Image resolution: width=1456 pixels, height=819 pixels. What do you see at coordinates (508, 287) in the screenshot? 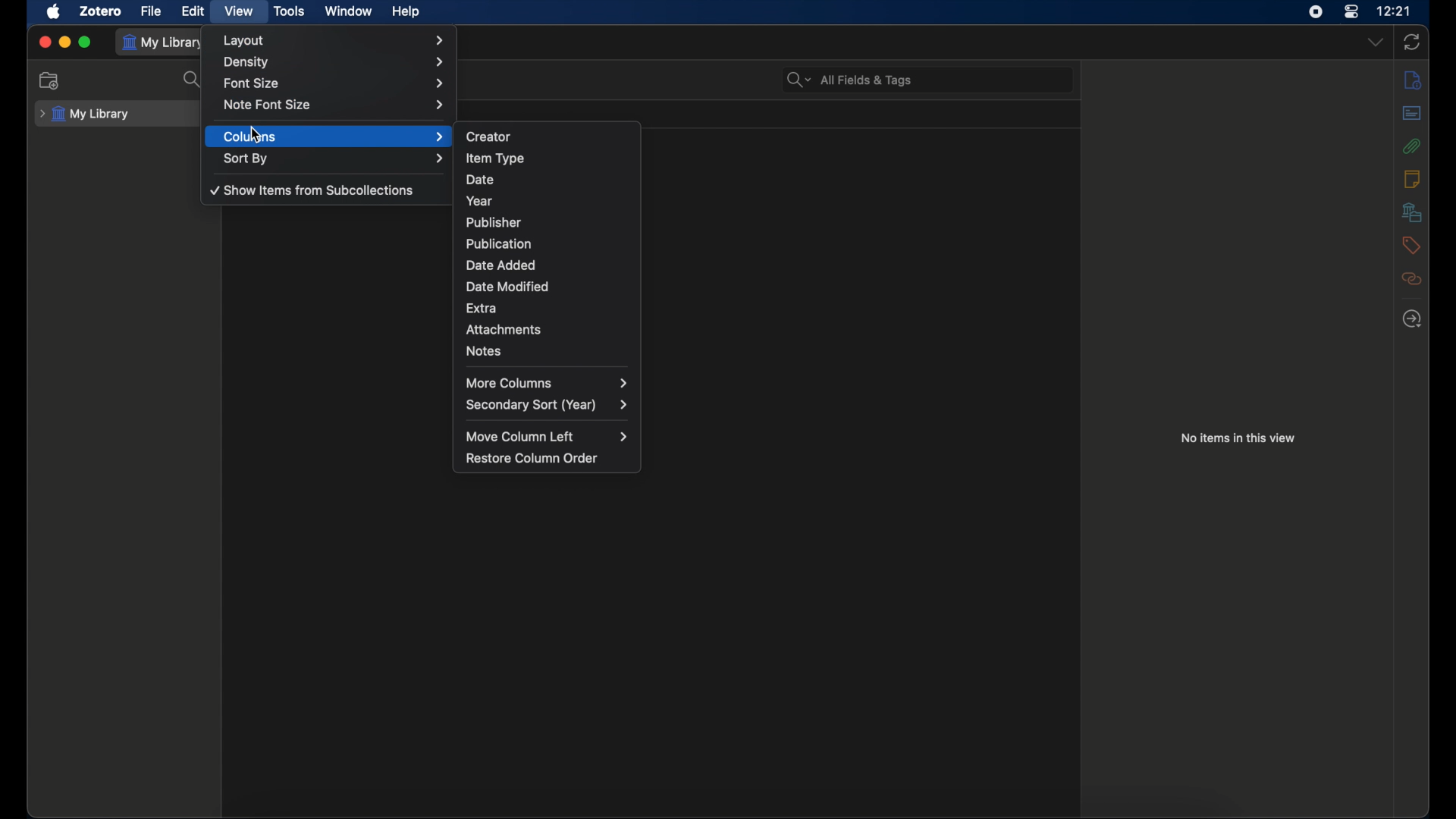
I see `date modified` at bounding box center [508, 287].